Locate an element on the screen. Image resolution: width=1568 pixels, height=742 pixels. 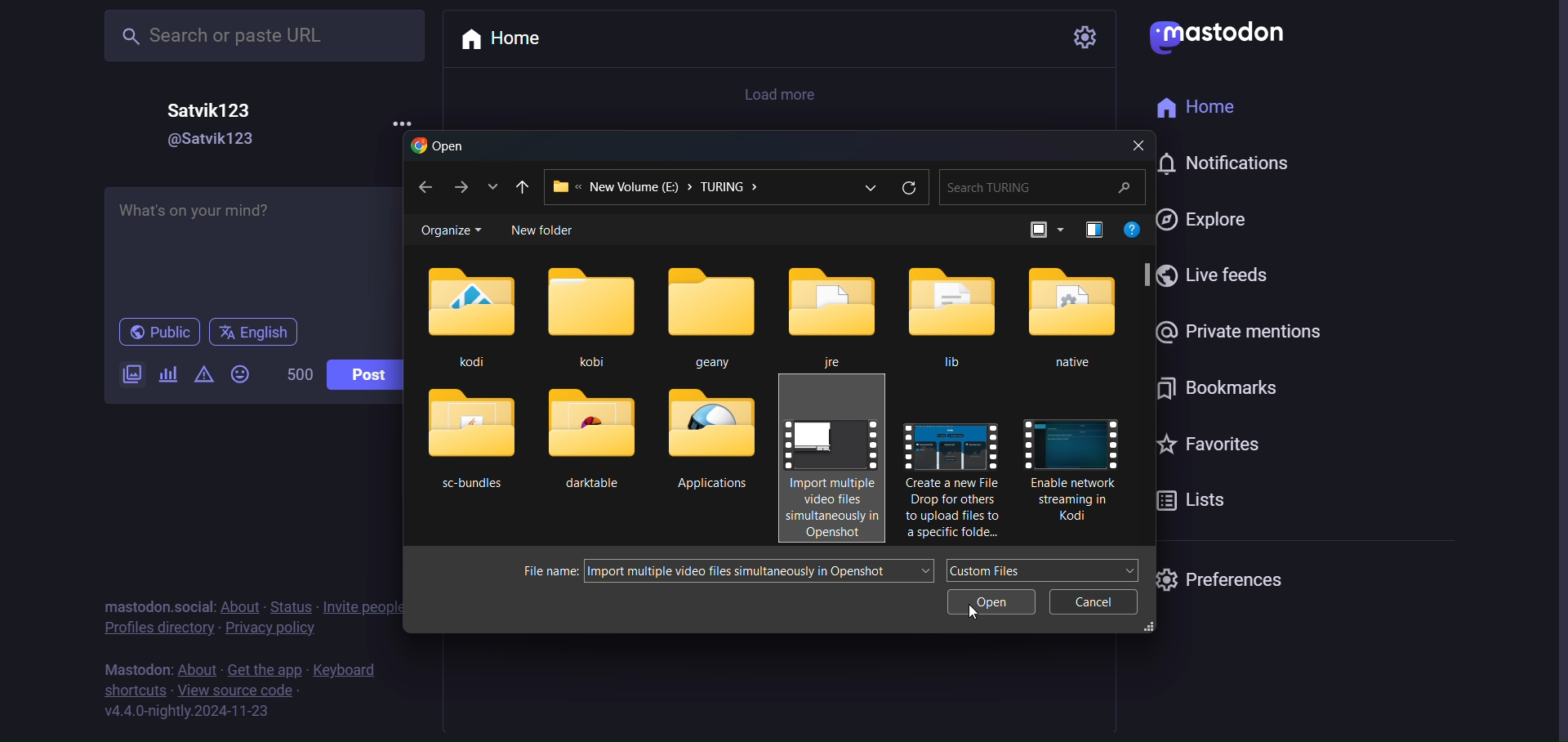
preview is located at coordinates (1092, 229).